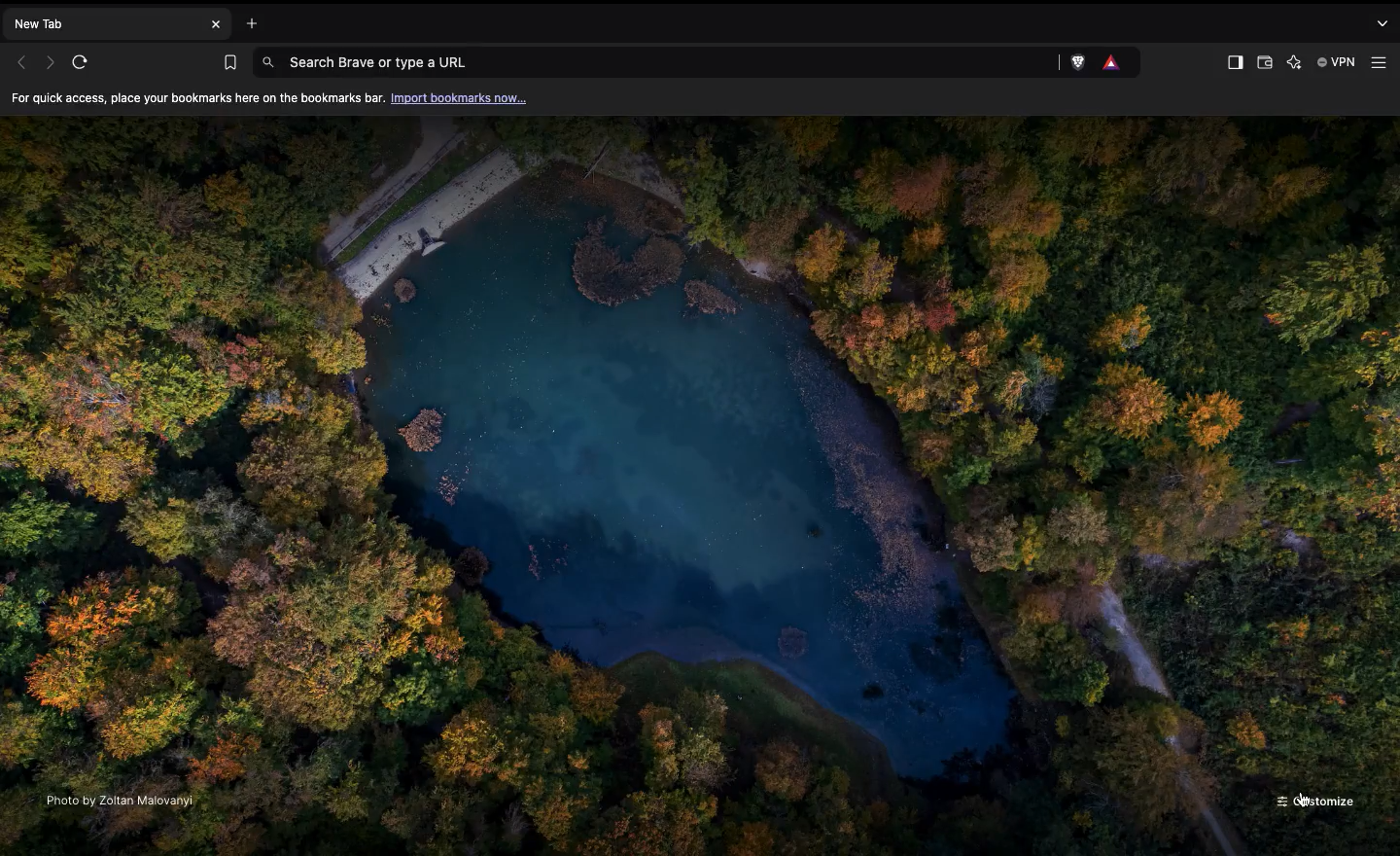 Image resolution: width=1400 pixels, height=856 pixels. Describe the element at coordinates (1233, 63) in the screenshot. I see `Show Sidebar` at that location.